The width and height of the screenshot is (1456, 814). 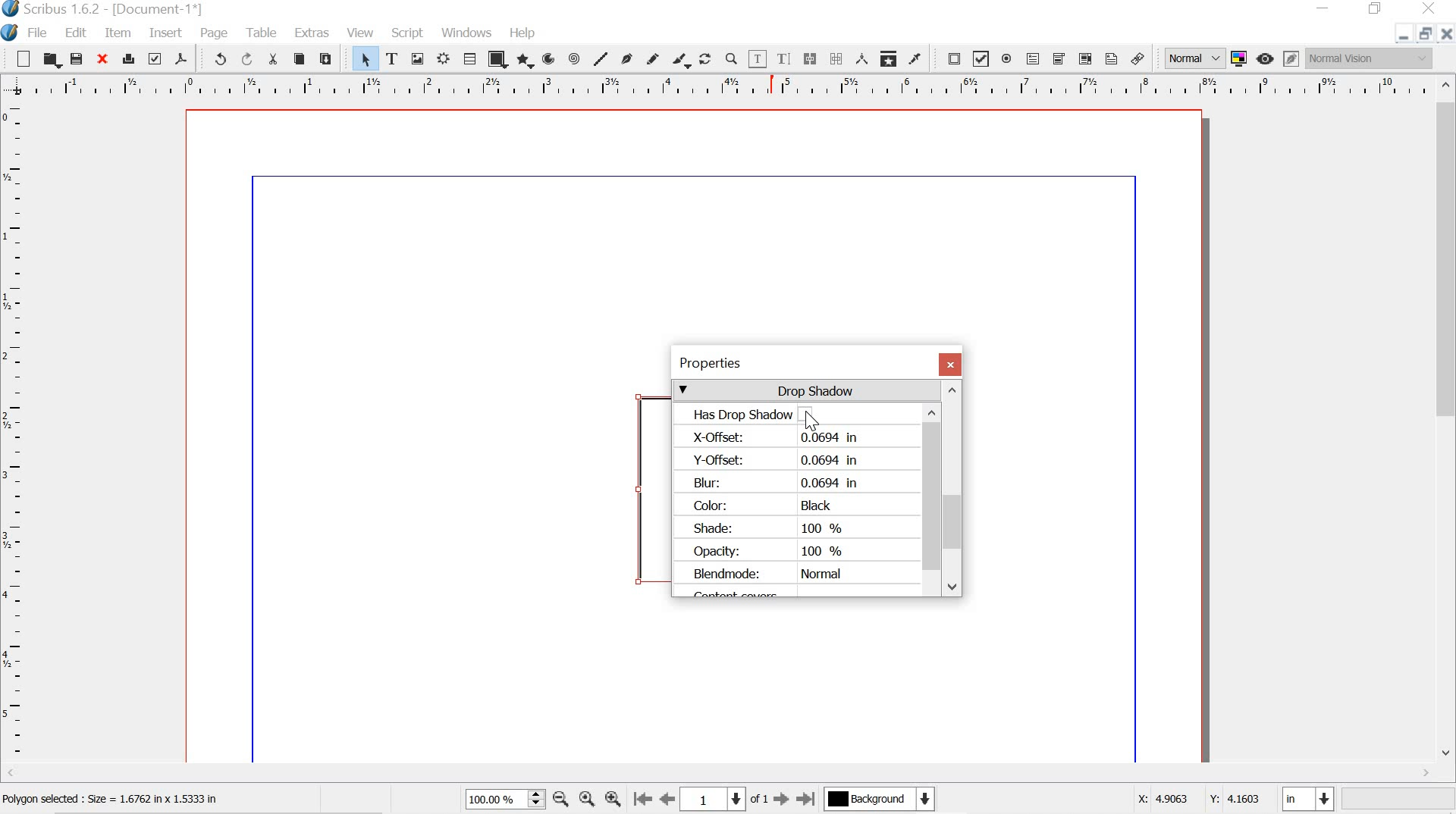 I want to click on of 1, so click(x=760, y=800).